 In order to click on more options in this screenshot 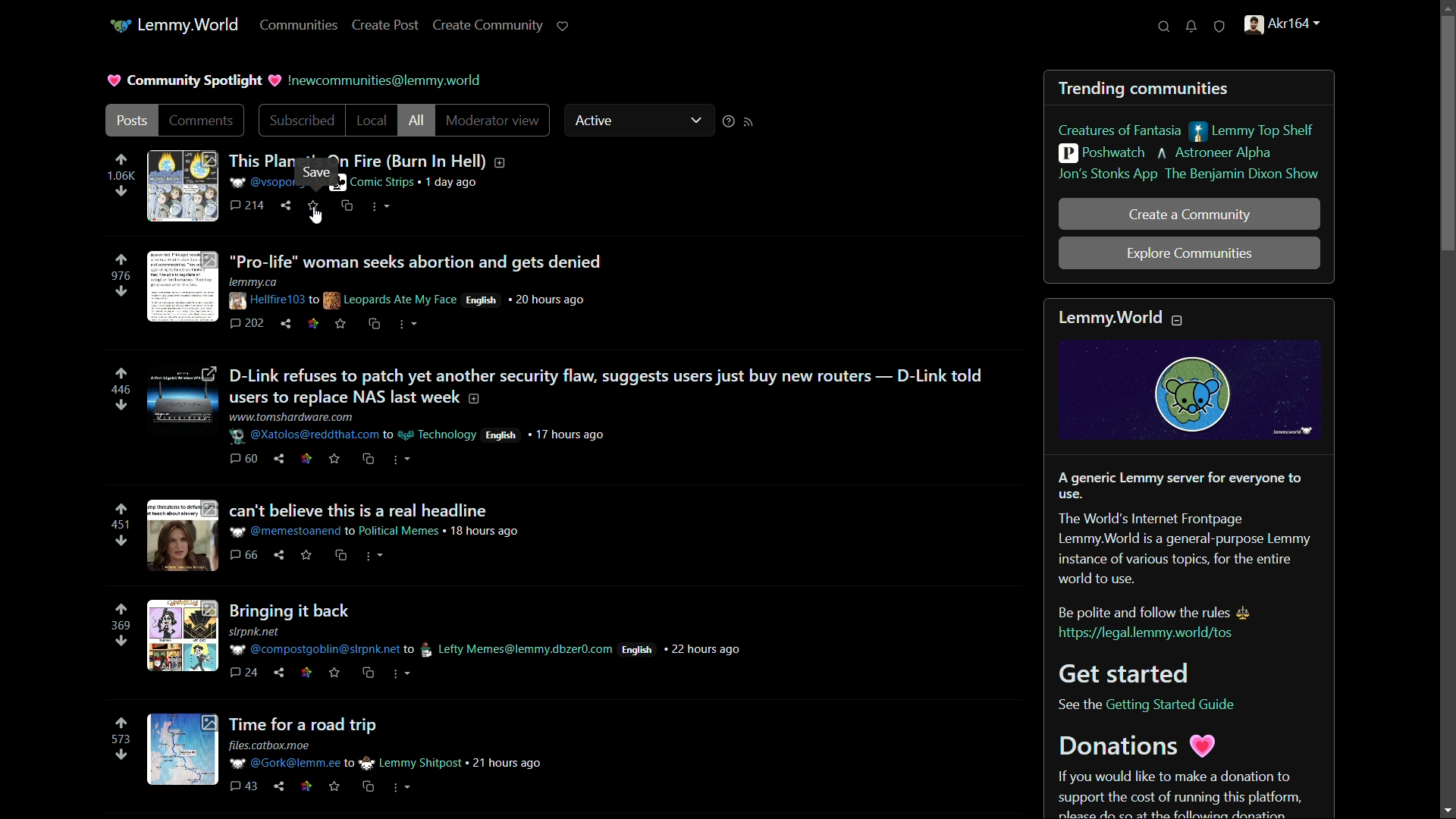, I will do `click(379, 206)`.